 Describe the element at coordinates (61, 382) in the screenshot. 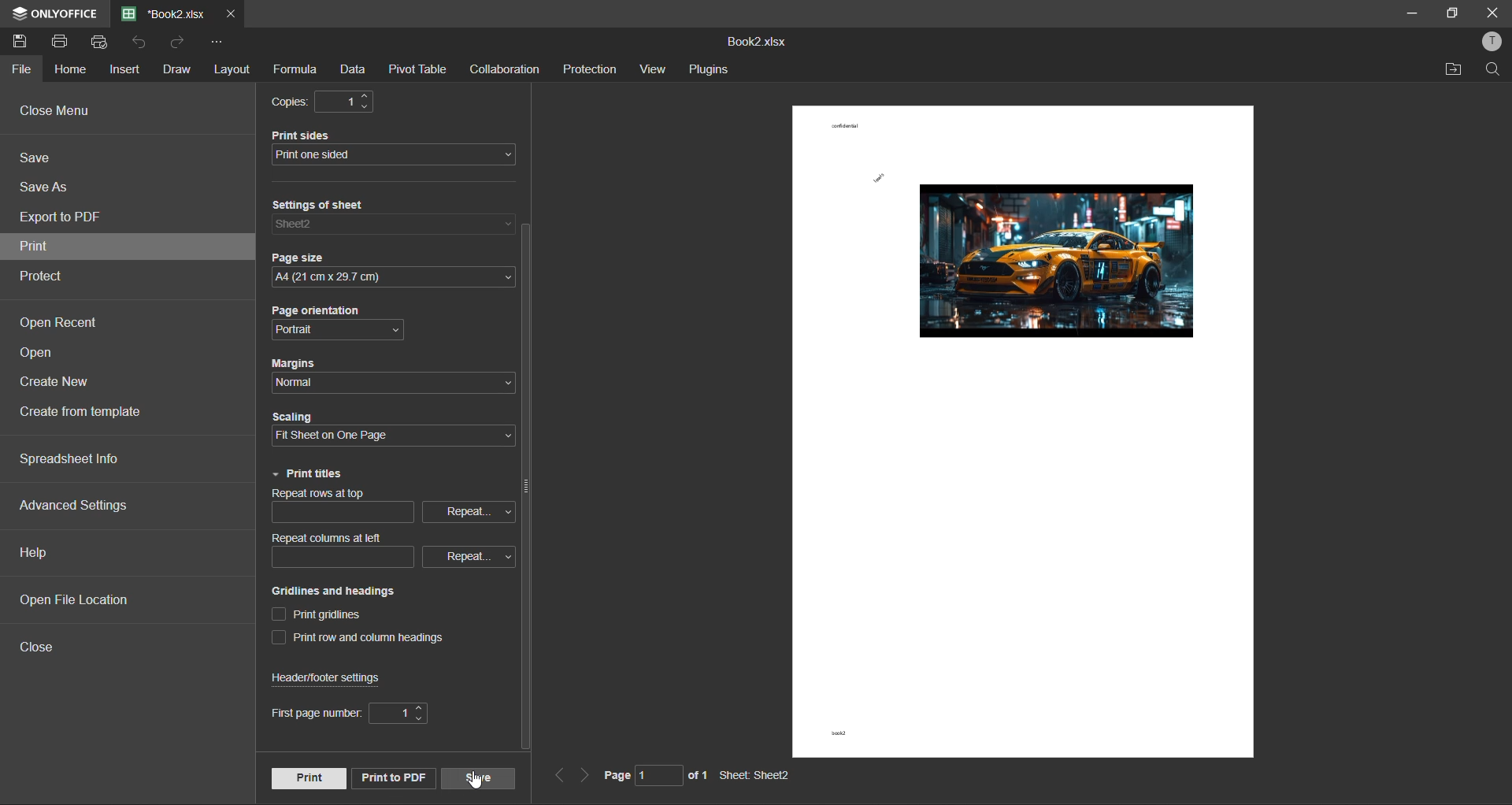

I see `create new` at that location.